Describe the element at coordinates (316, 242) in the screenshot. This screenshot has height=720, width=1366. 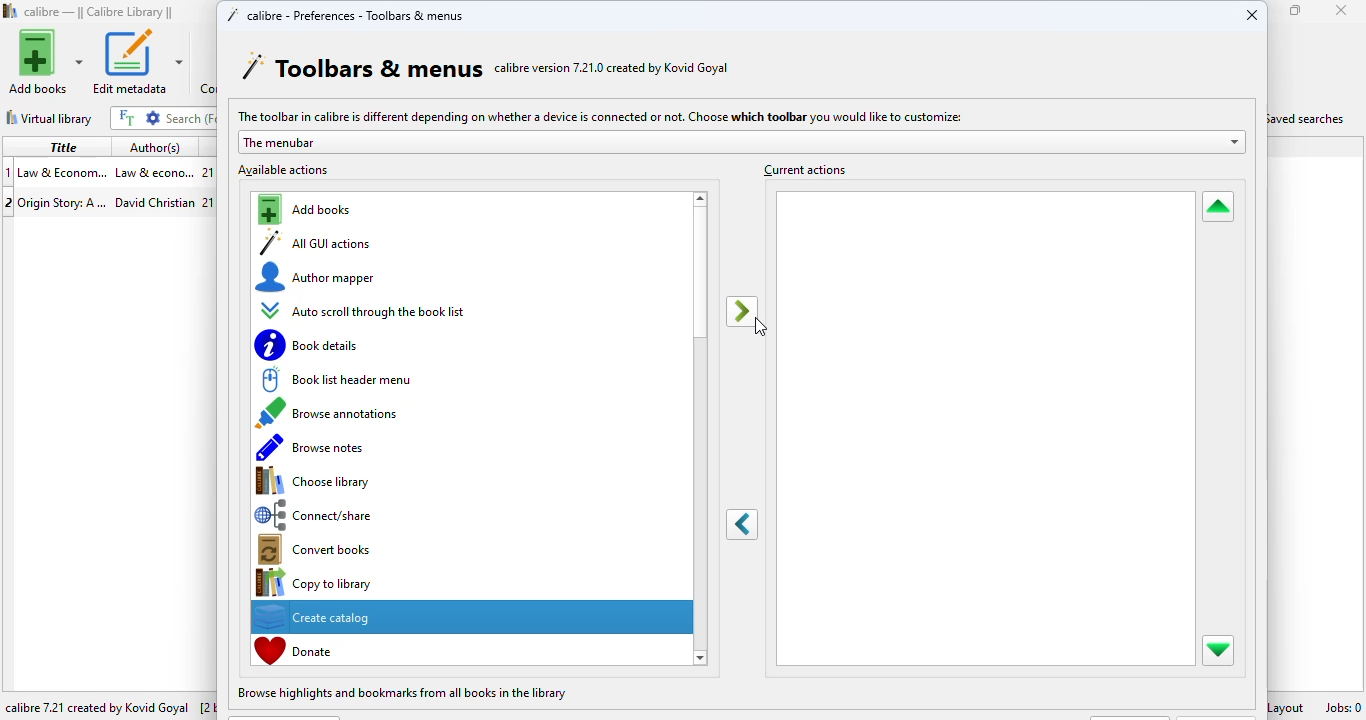
I see `all GUI actions` at that location.